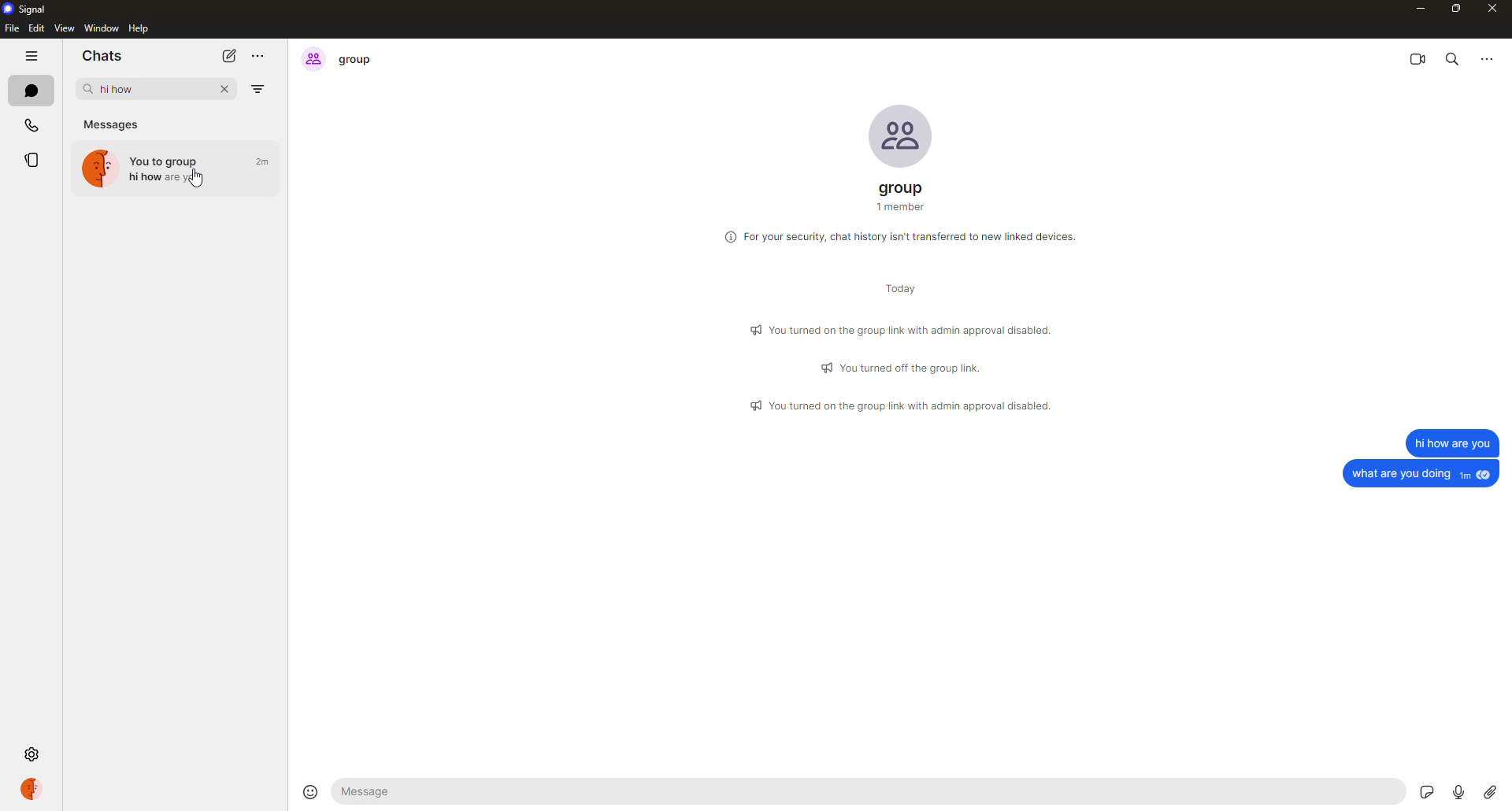 The width and height of the screenshot is (1512, 811). What do you see at coordinates (261, 89) in the screenshot?
I see `filter` at bounding box center [261, 89].